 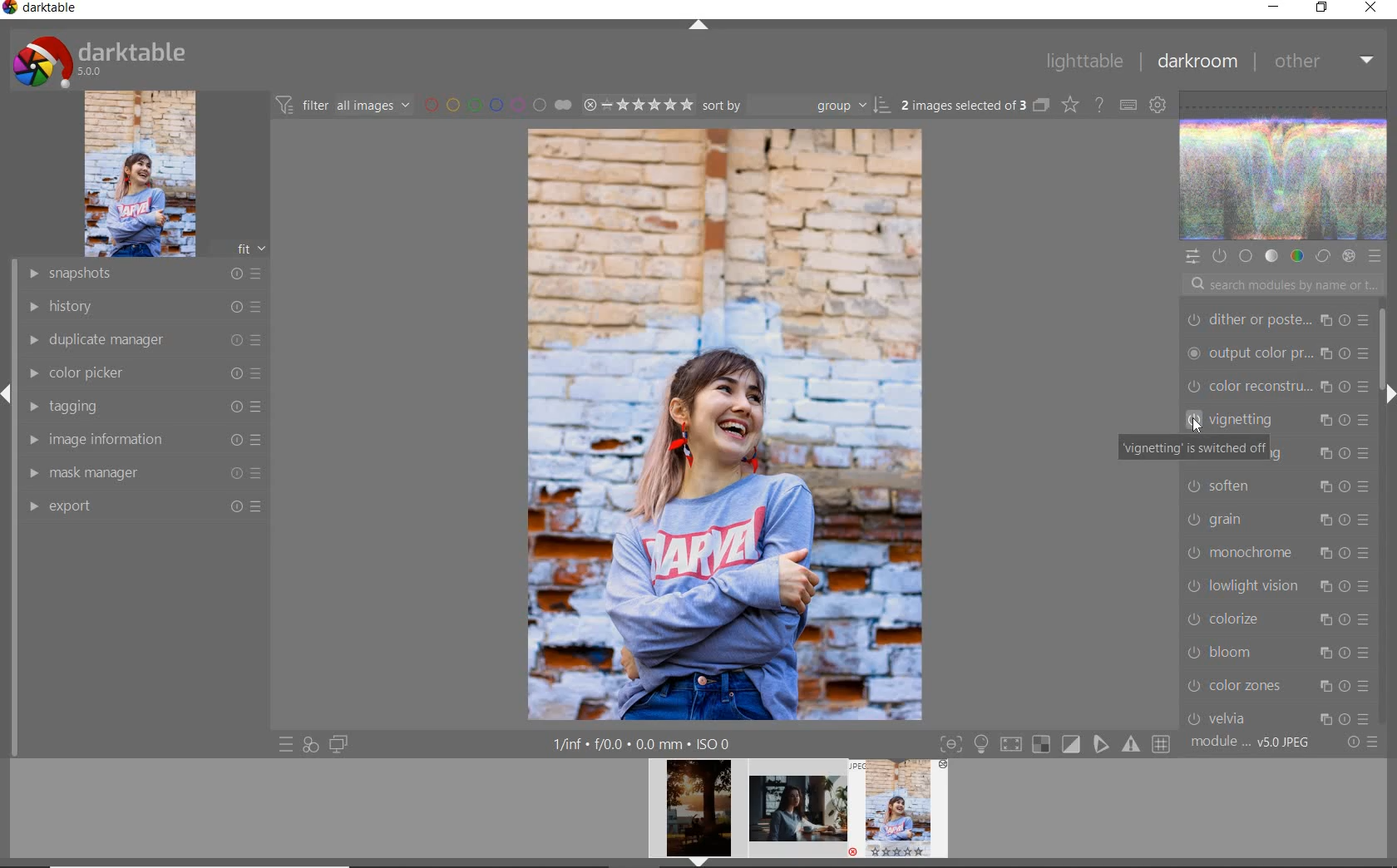 What do you see at coordinates (1156, 104) in the screenshot?
I see `SHOW GLOBAL PREFERENCES` at bounding box center [1156, 104].